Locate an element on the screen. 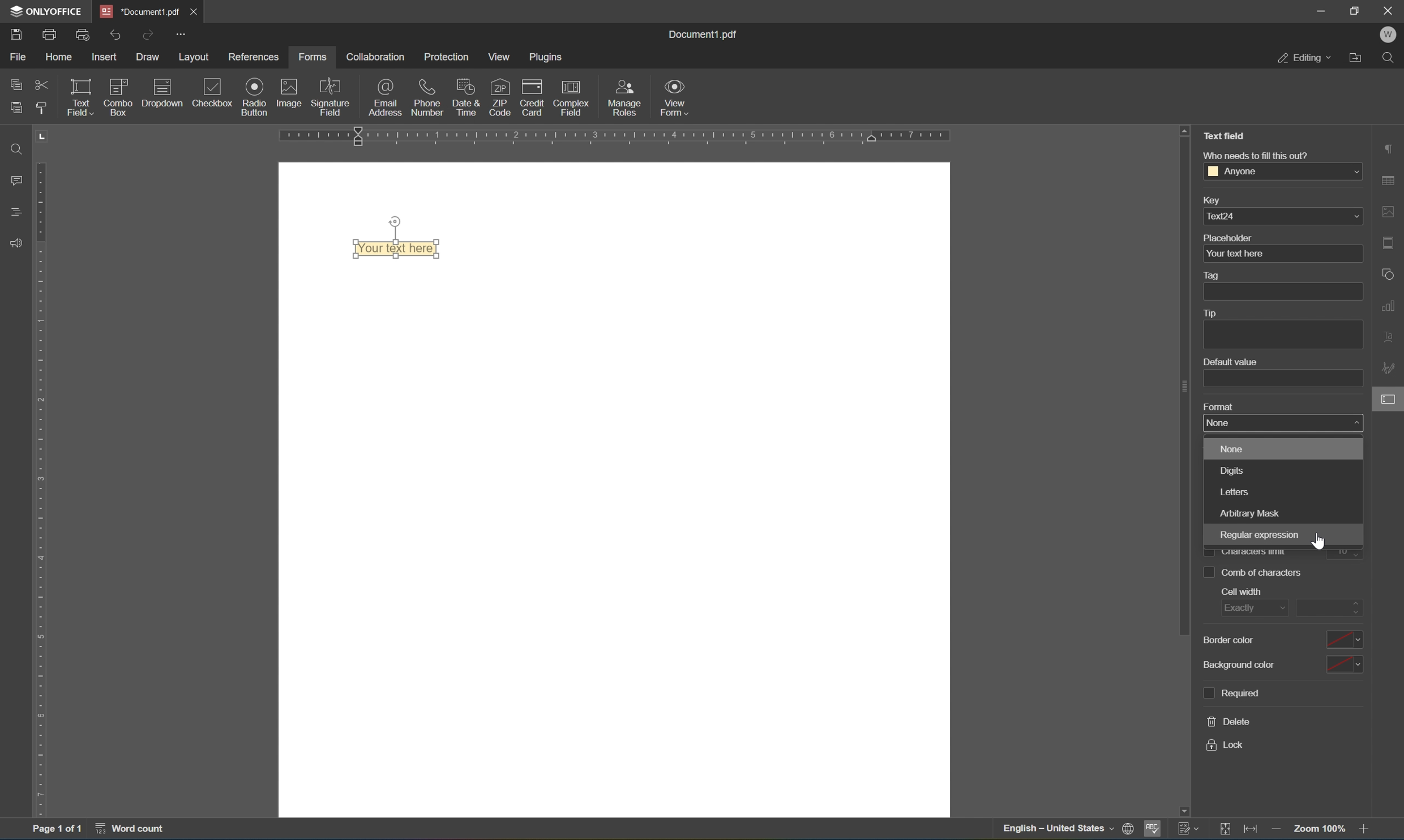 Image resolution: width=1404 pixels, height=840 pixels. phone number is located at coordinates (427, 96).